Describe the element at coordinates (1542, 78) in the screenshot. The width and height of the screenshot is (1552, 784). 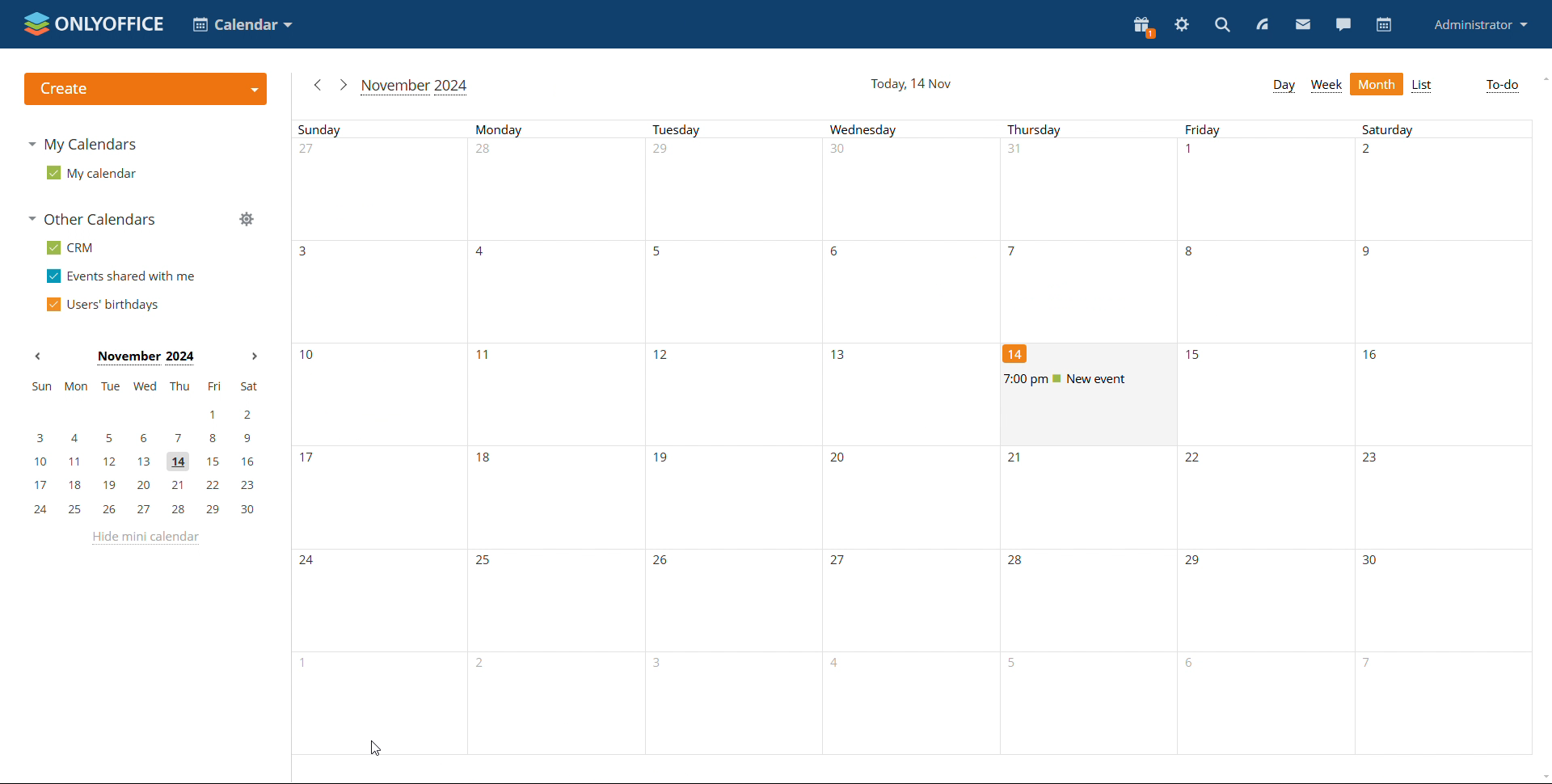
I see `scroll up` at that location.